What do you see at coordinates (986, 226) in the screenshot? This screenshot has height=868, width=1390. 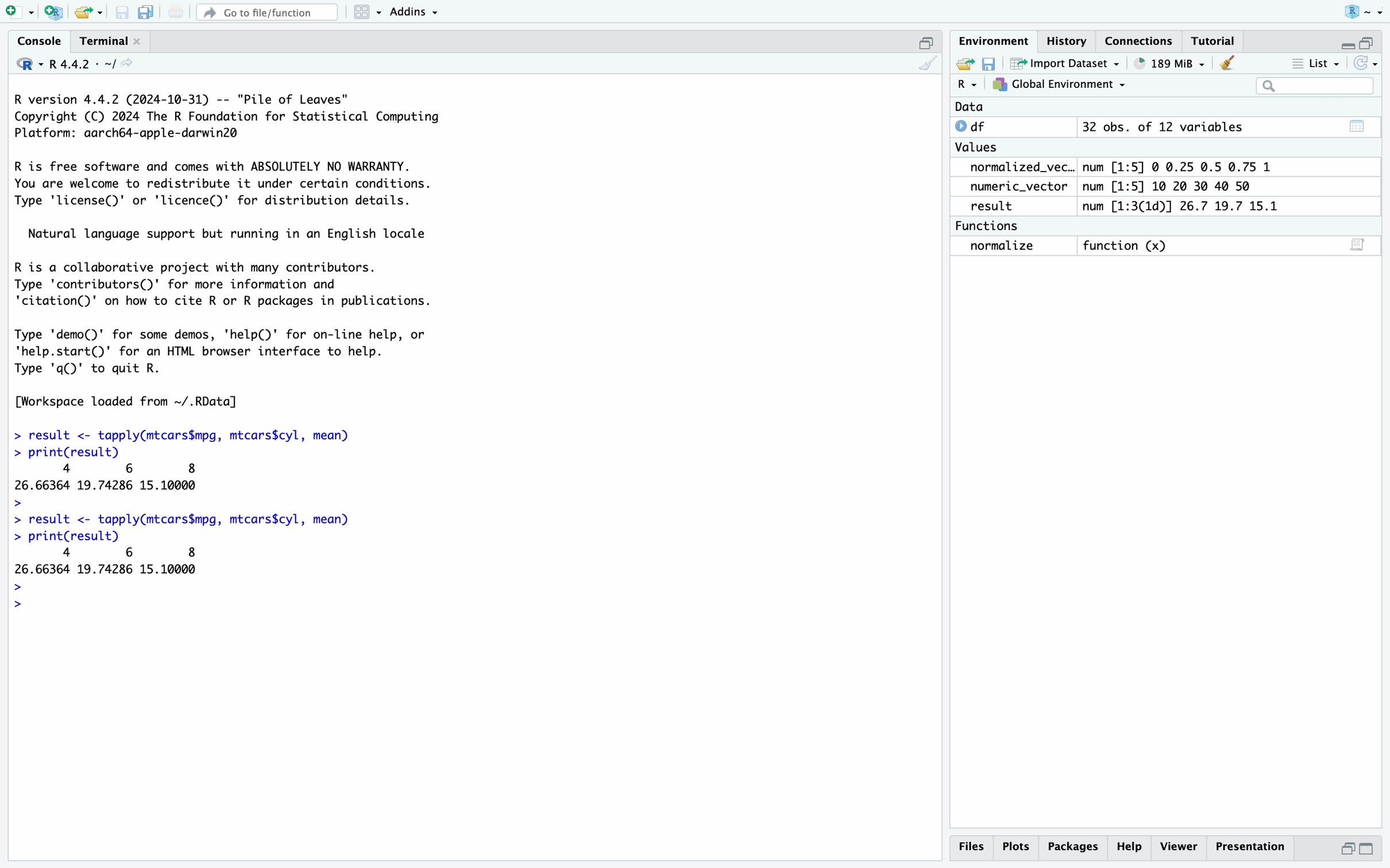 I see `Functions` at bounding box center [986, 226].